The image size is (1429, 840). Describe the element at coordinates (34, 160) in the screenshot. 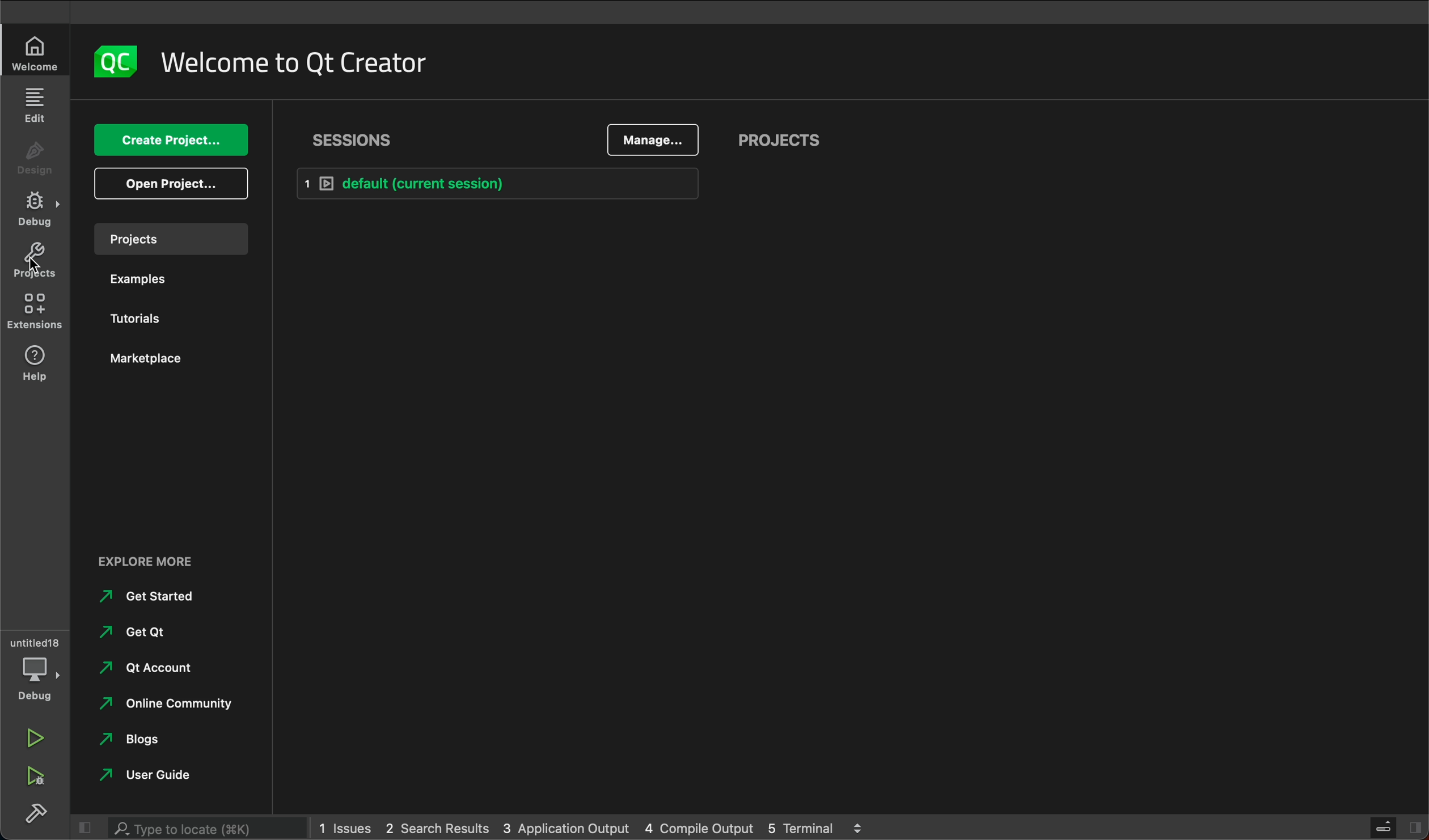

I see `design` at that location.